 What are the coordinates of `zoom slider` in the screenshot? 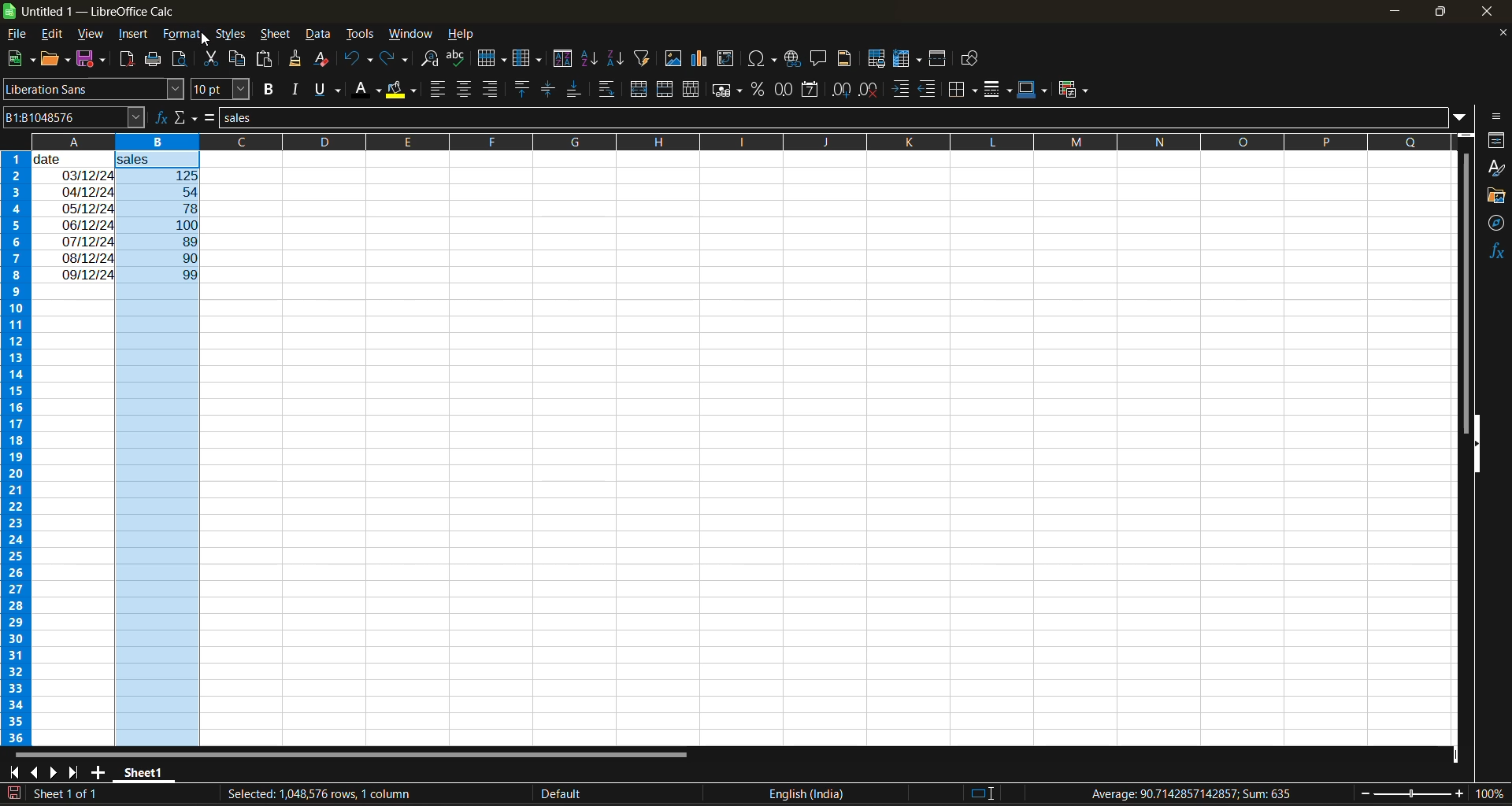 It's located at (1413, 793).